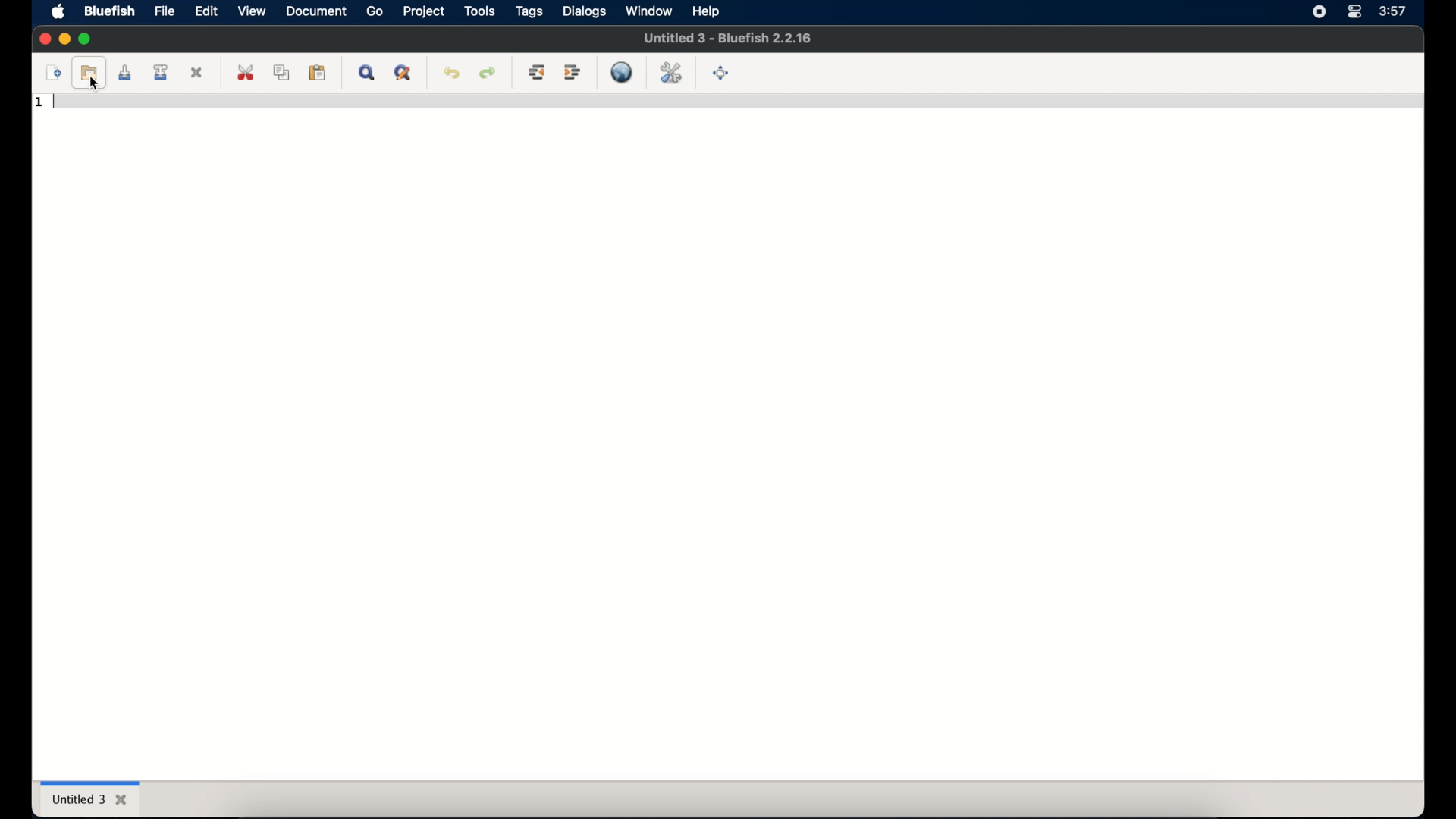  I want to click on save file as, so click(163, 73).